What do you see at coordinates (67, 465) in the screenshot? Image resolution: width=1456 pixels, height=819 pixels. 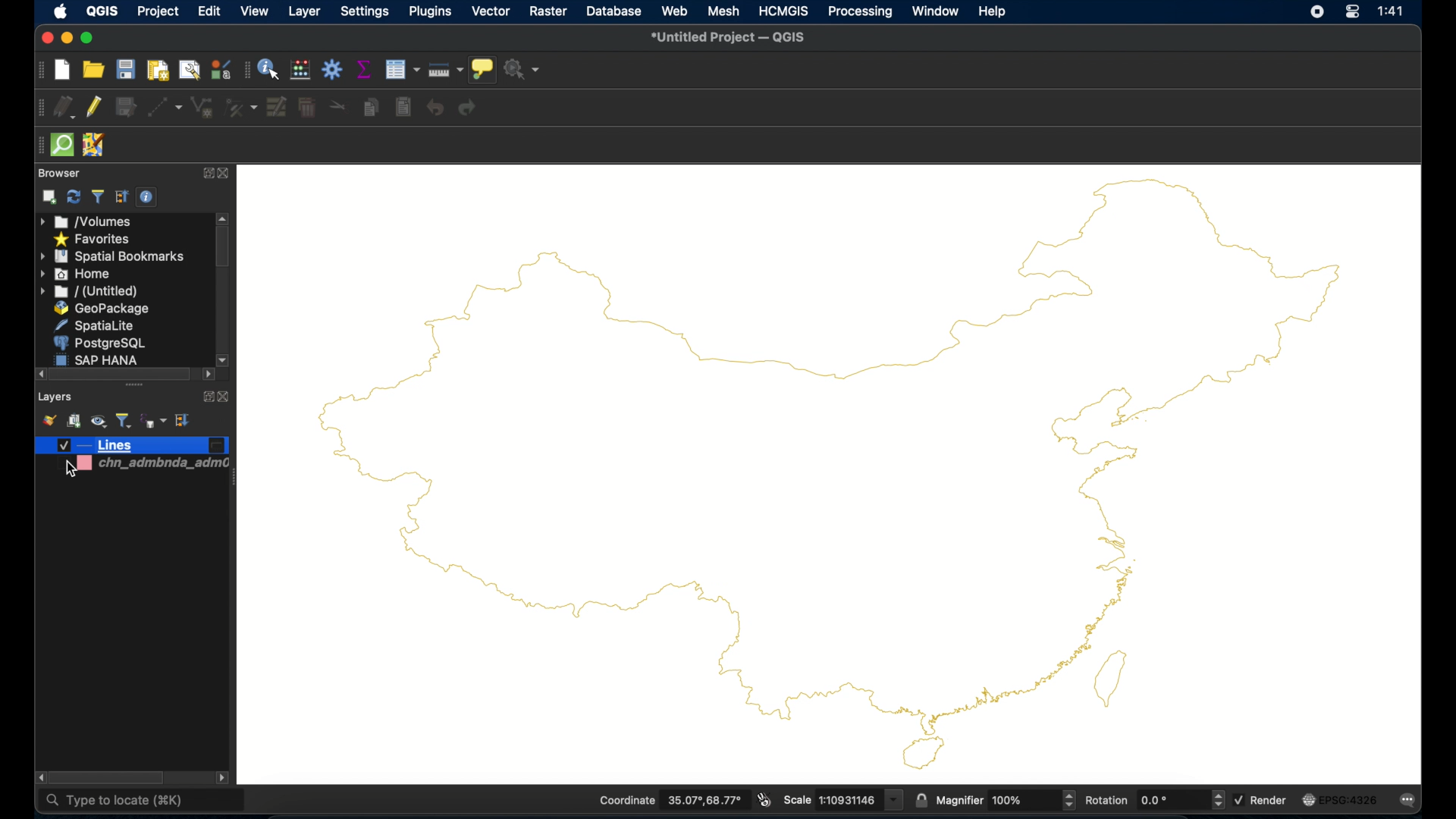 I see `unchecked checkbox` at bounding box center [67, 465].